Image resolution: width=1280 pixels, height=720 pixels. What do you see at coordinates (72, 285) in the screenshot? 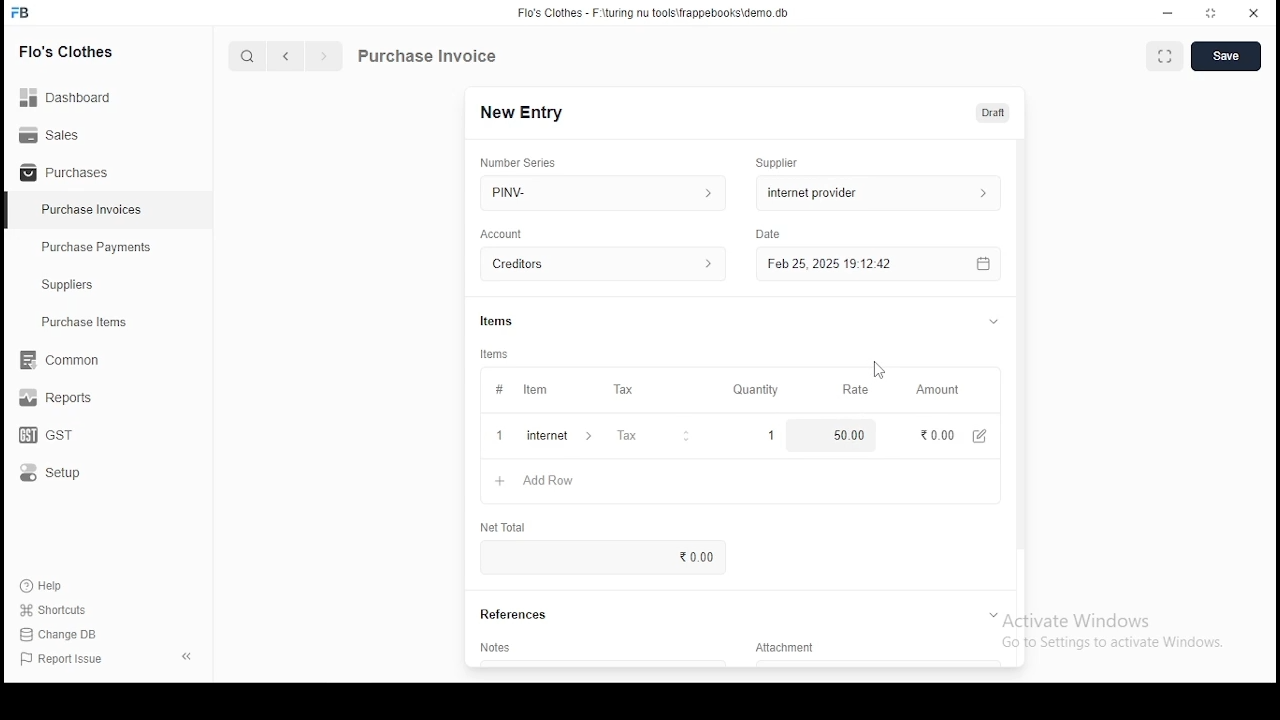
I see `Suppliers` at bounding box center [72, 285].